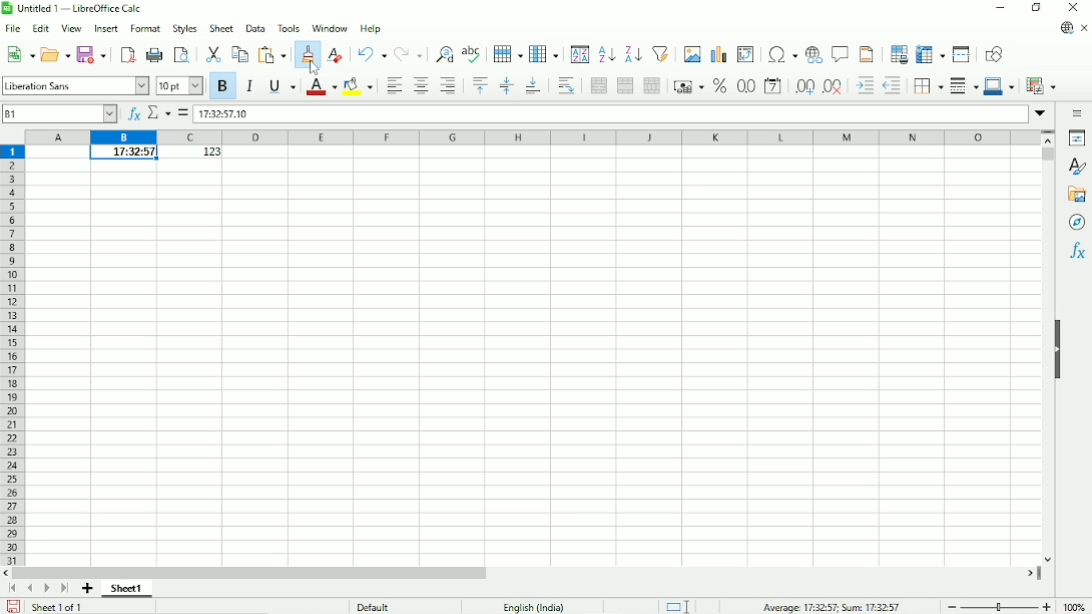  What do you see at coordinates (271, 54) in the screenshot?
I see `Paste` at bounding box center [271, 54].